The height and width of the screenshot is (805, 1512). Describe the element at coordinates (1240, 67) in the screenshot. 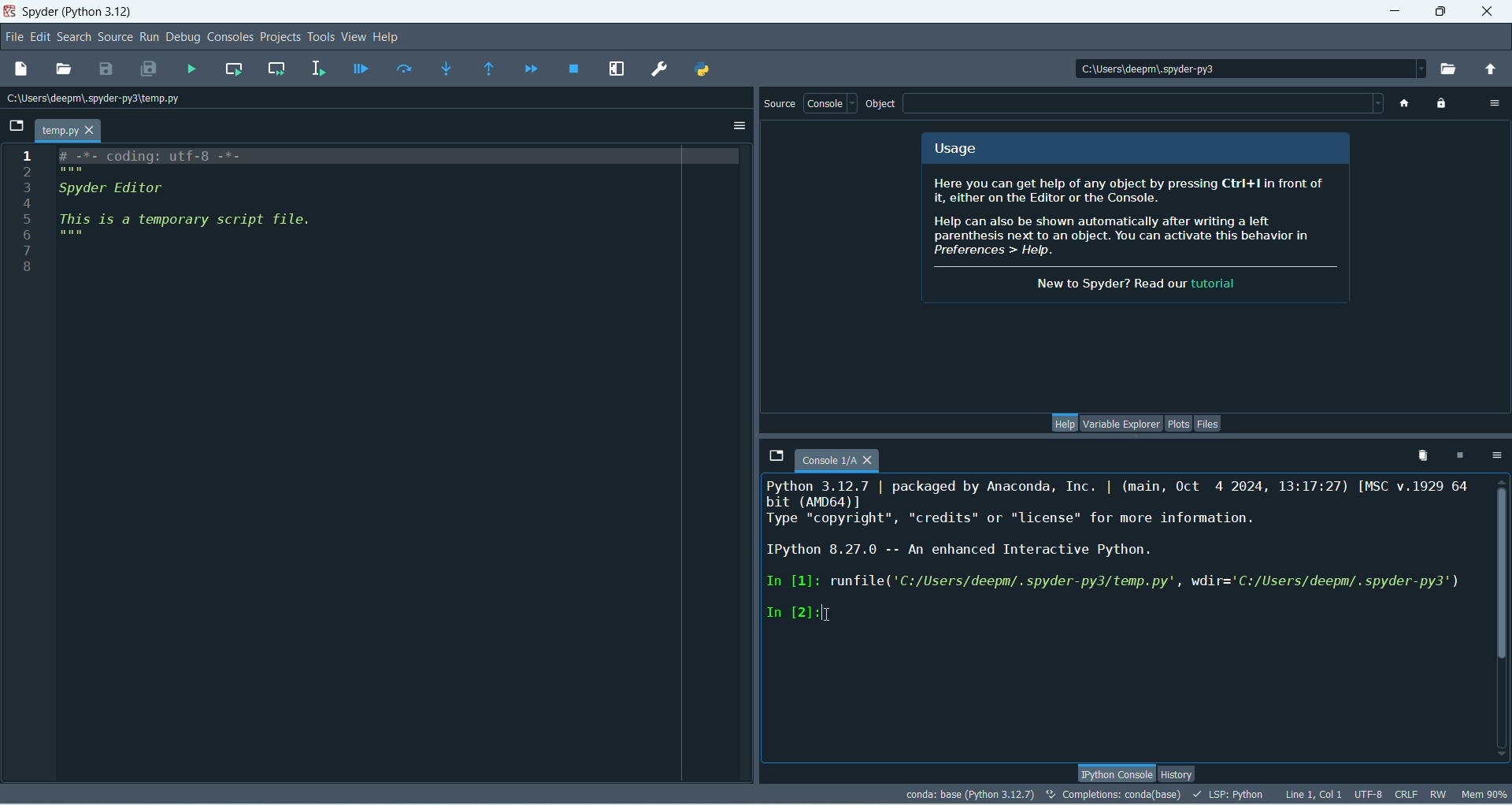

I see `location` at that location.